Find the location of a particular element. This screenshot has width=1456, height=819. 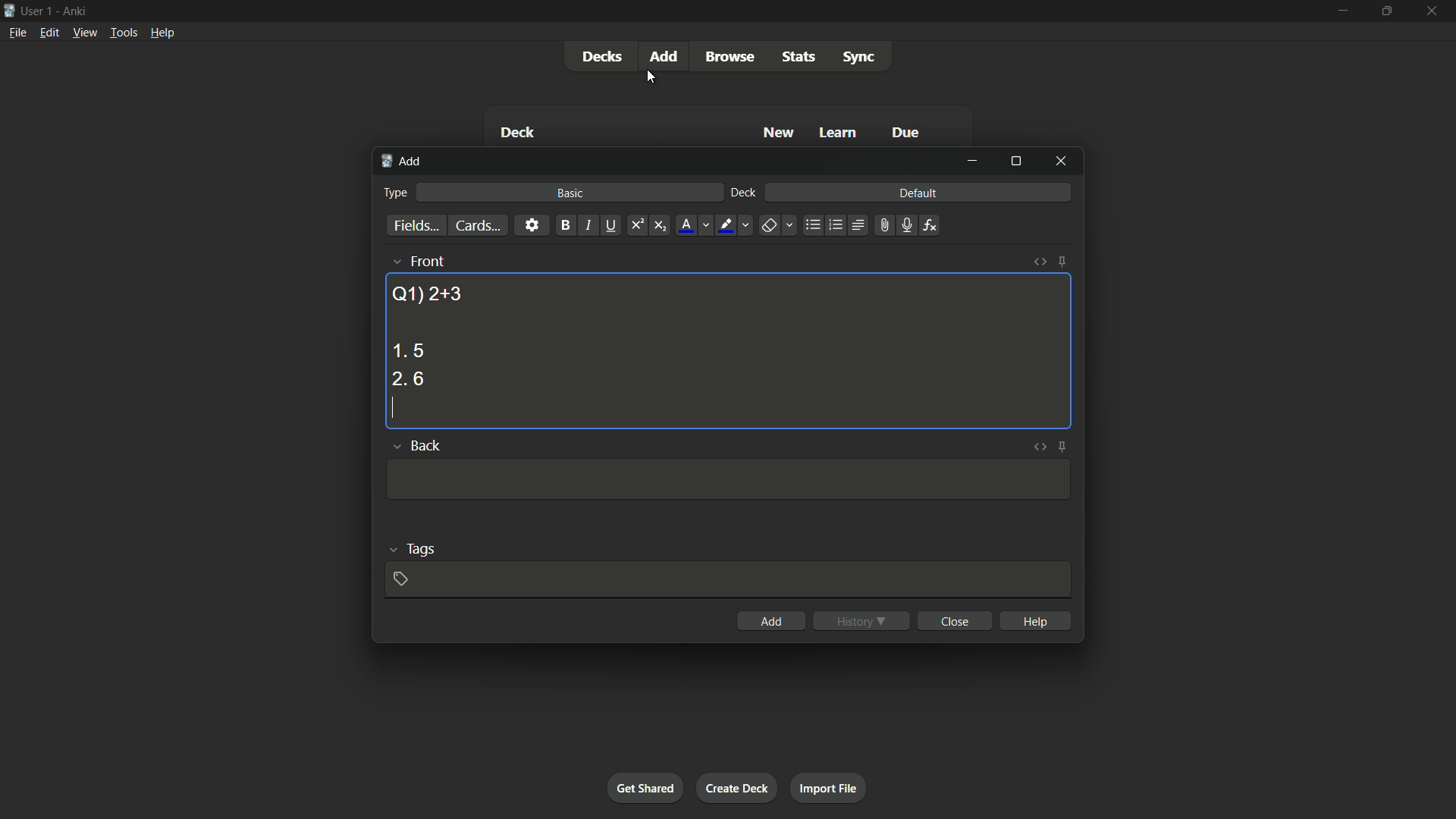

cards is located at coordinates (477, 226).